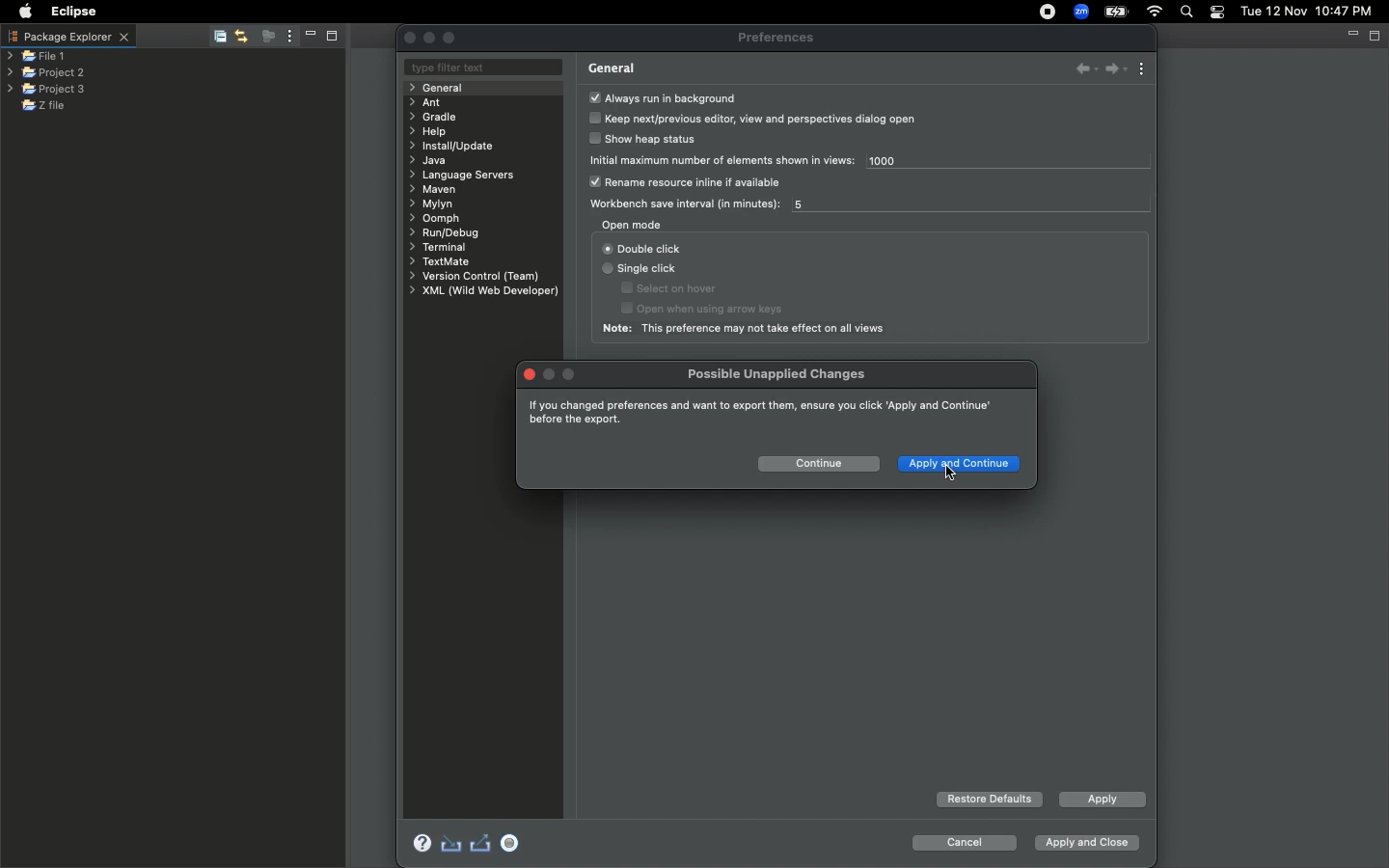 Image resolution: width=1389 pixels, height=868 pixels. I want to click on Project 3, so click(46, 90).